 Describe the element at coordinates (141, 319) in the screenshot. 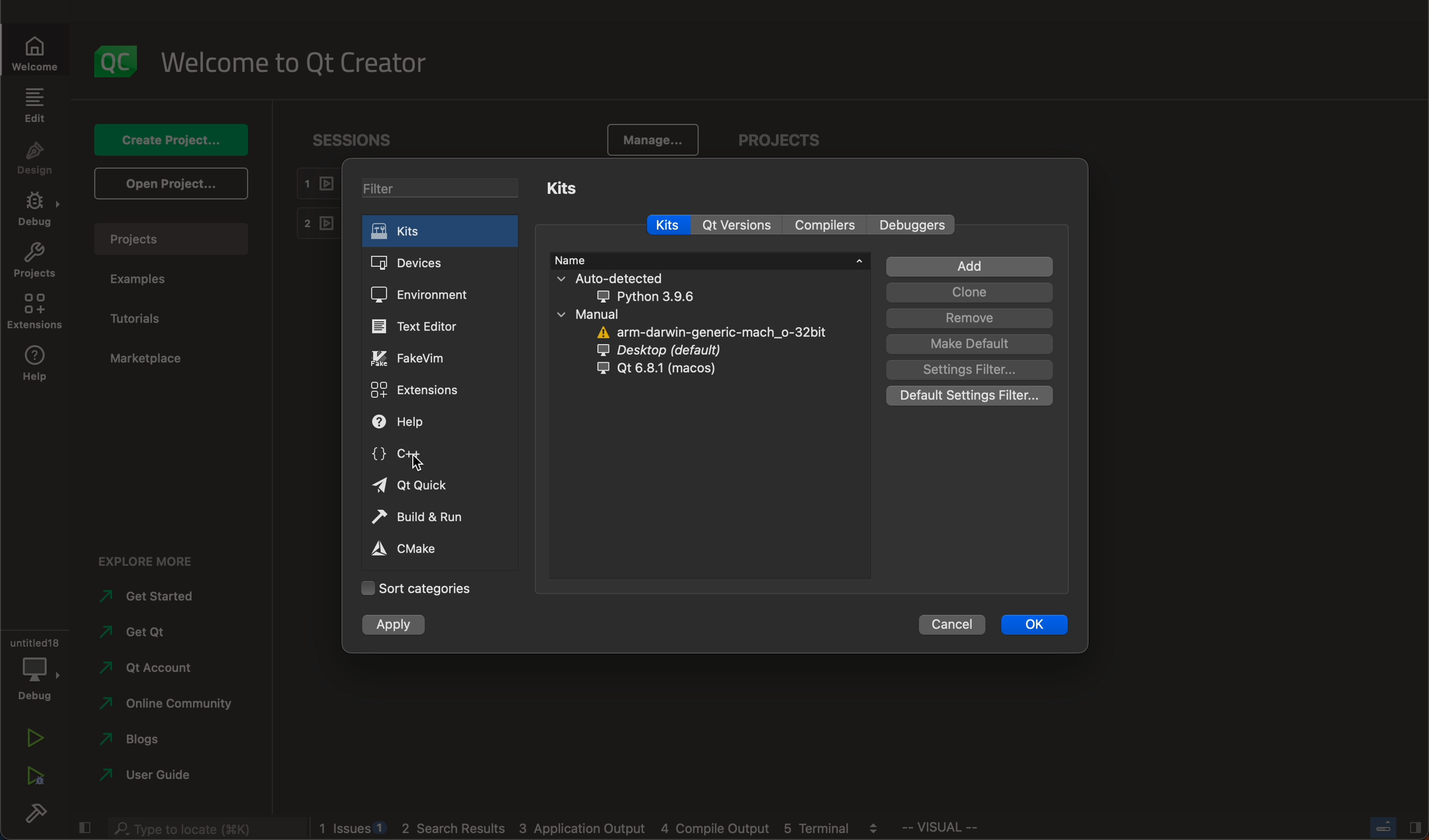

I see `tutorials` at that location.